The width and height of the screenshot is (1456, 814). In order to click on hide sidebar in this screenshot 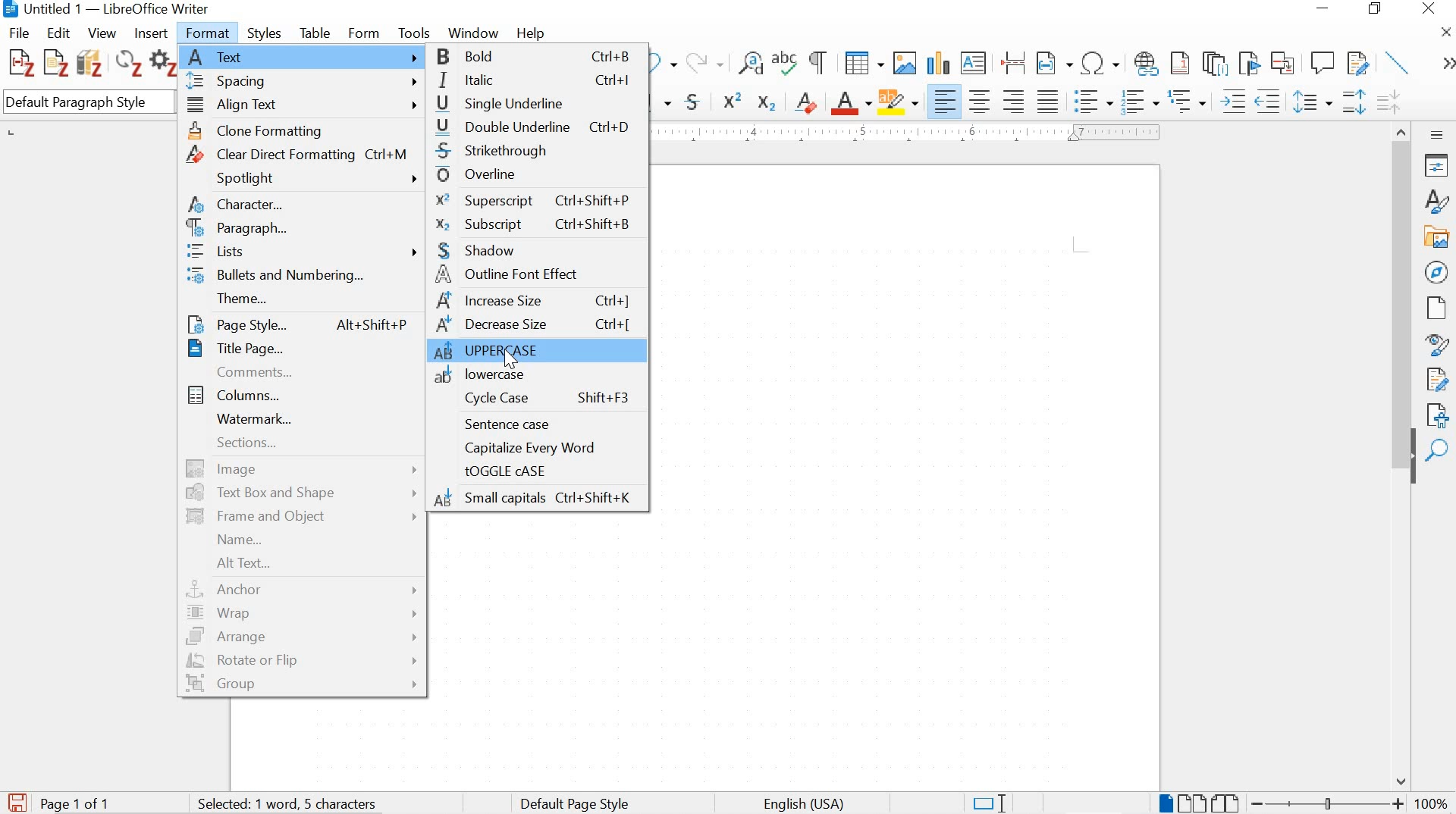, I will do `click(1412, 465)`.